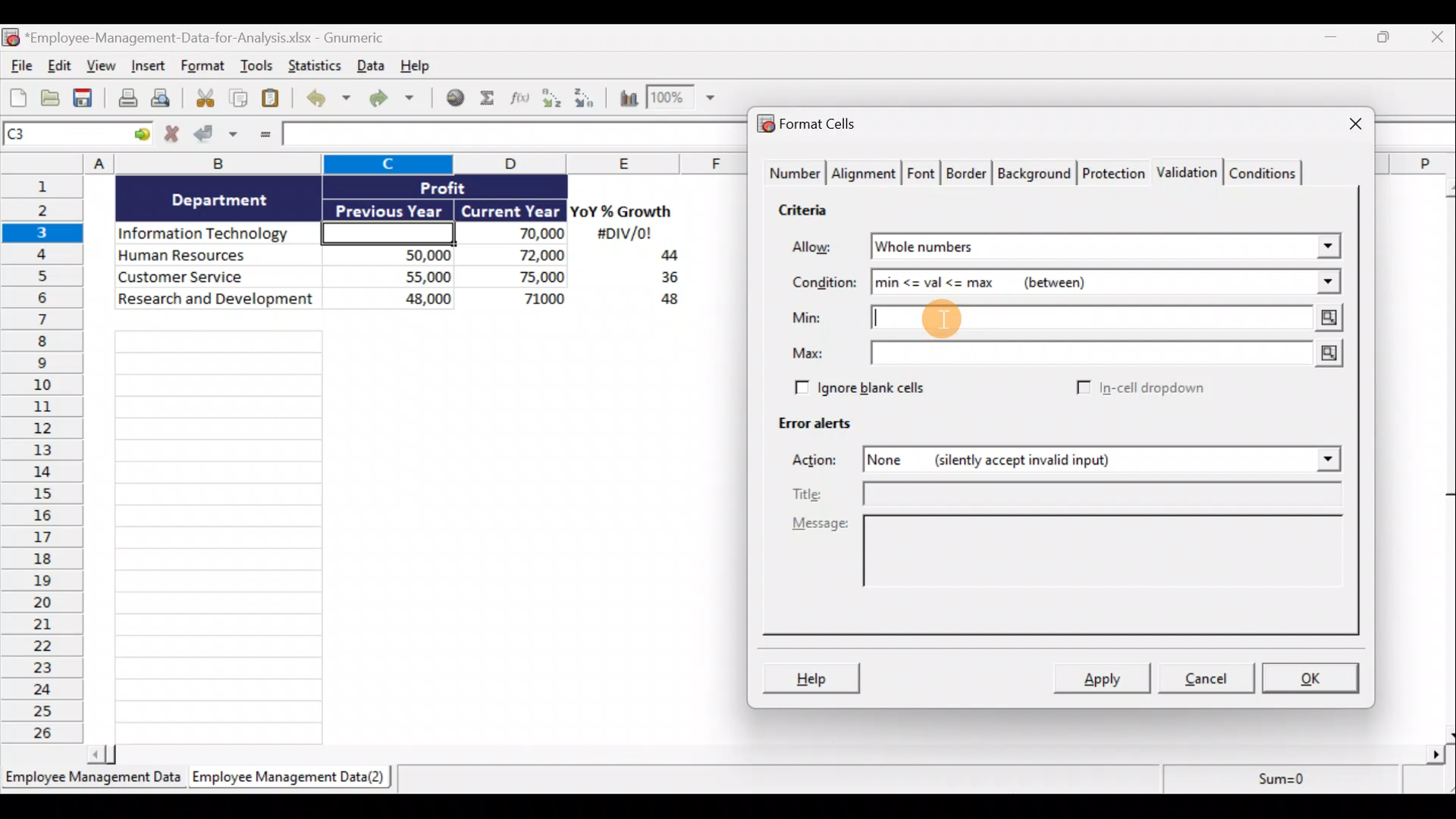 This screenshot has height=819, width=1456. I want to click on 48,000, so click(397, 301).